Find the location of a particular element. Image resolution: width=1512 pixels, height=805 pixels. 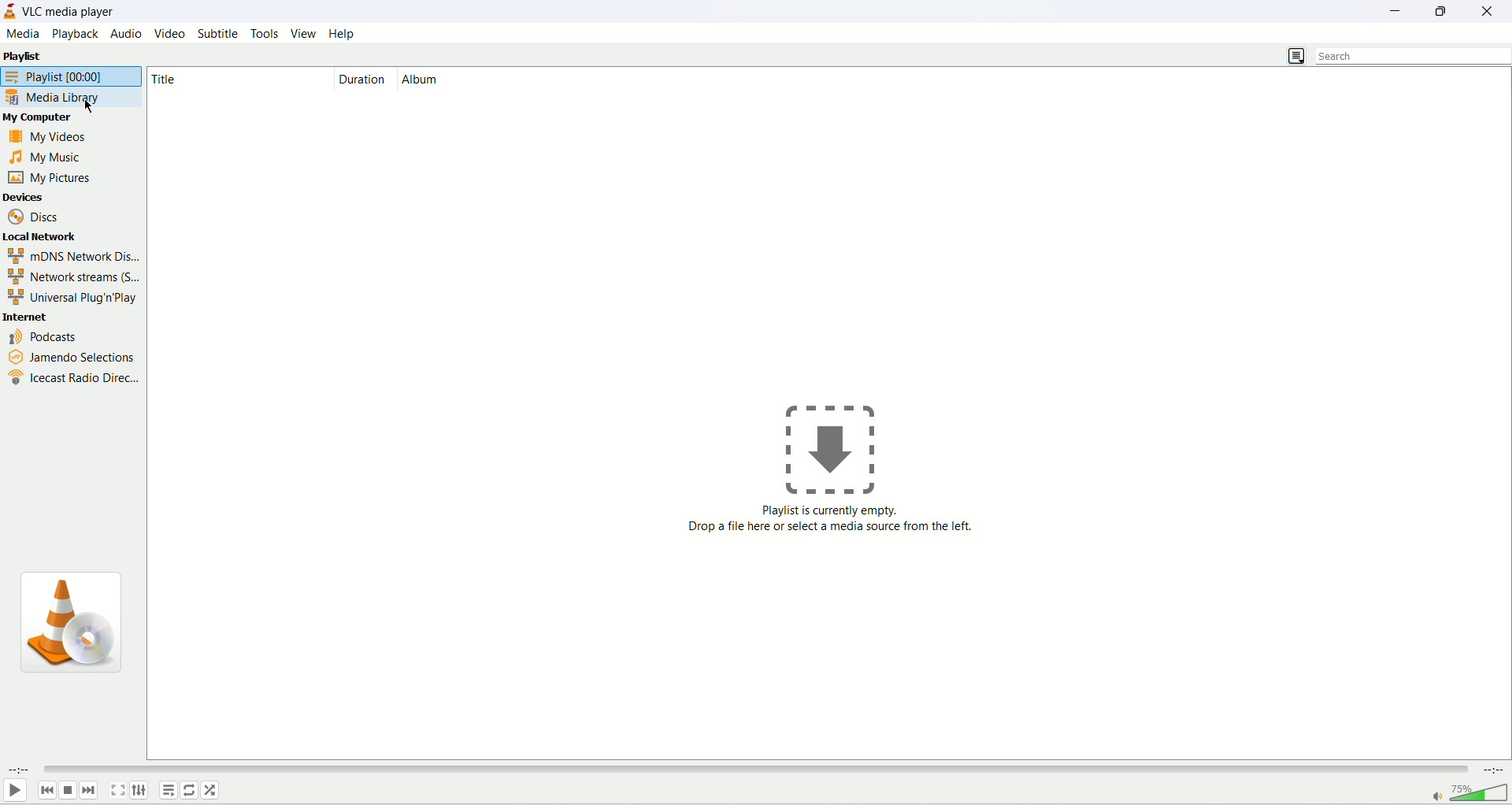

elapsed time is located at coordinates (18, 769).